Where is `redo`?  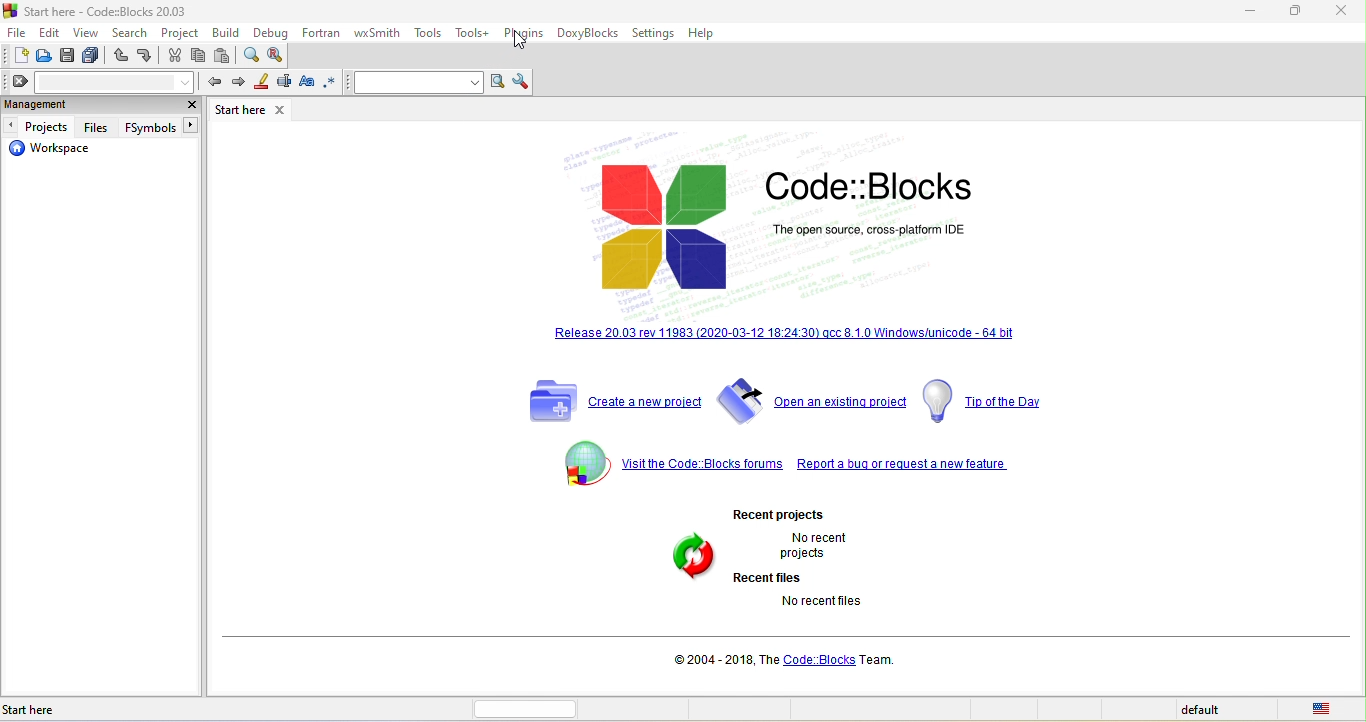 redo is located at coordinates (144, 56).